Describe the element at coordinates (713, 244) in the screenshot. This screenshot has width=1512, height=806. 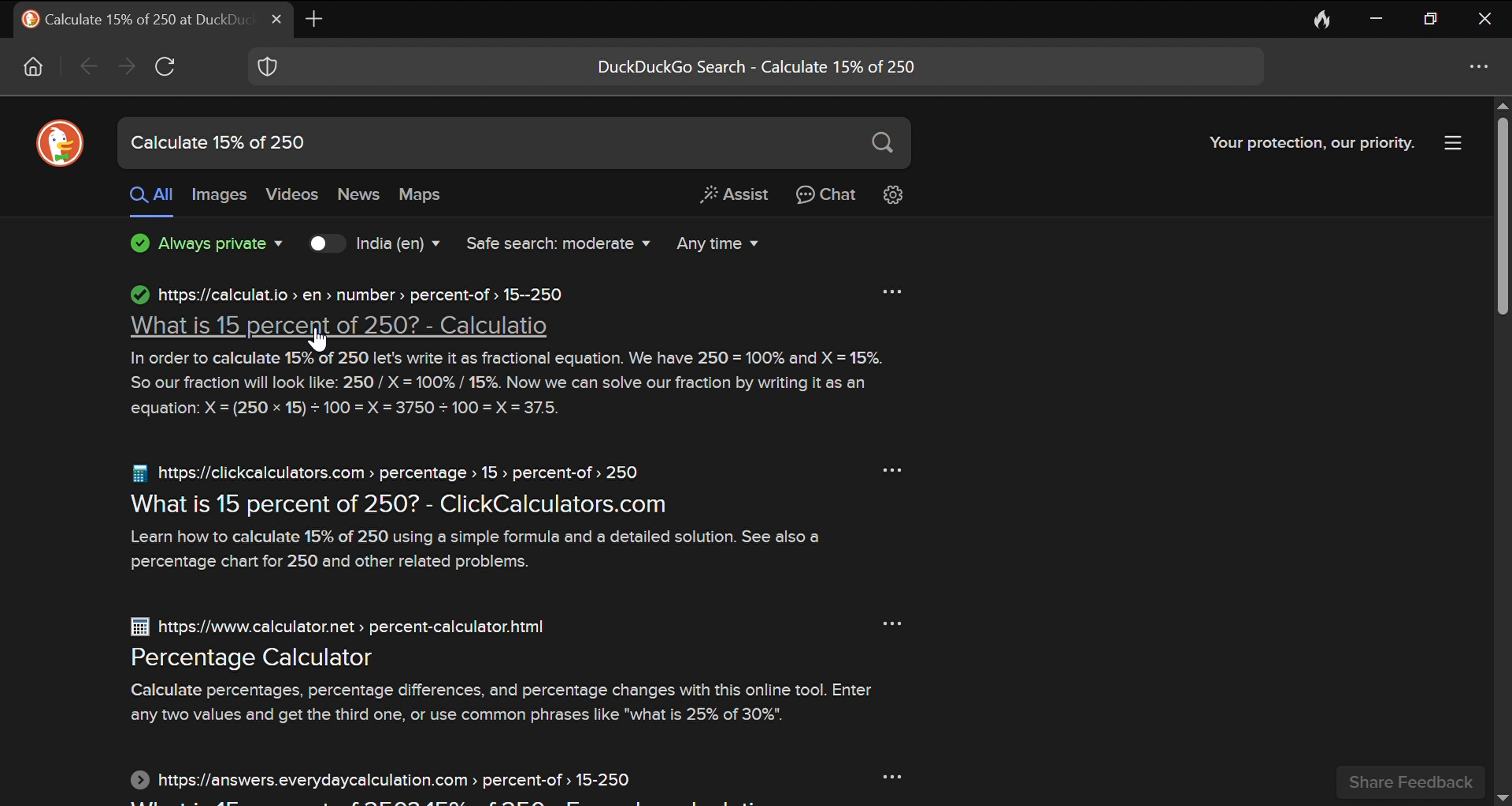
I see `Anytime` at that location.